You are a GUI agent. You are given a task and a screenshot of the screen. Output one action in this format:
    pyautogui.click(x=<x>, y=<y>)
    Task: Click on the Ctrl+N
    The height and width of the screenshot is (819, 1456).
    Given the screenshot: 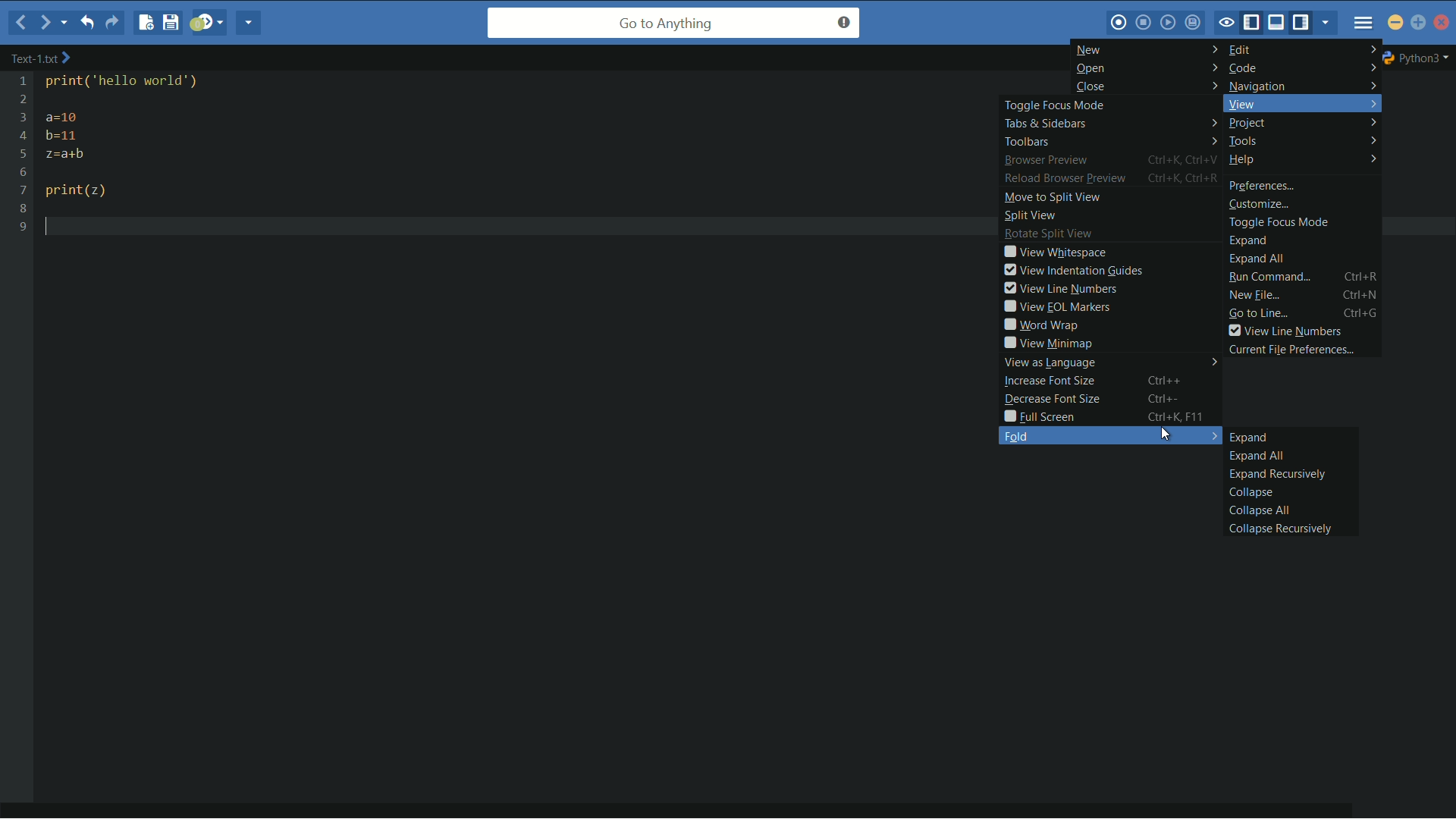 What is the action you would take?
    pyautogui.click(x=1363, y=294)
    